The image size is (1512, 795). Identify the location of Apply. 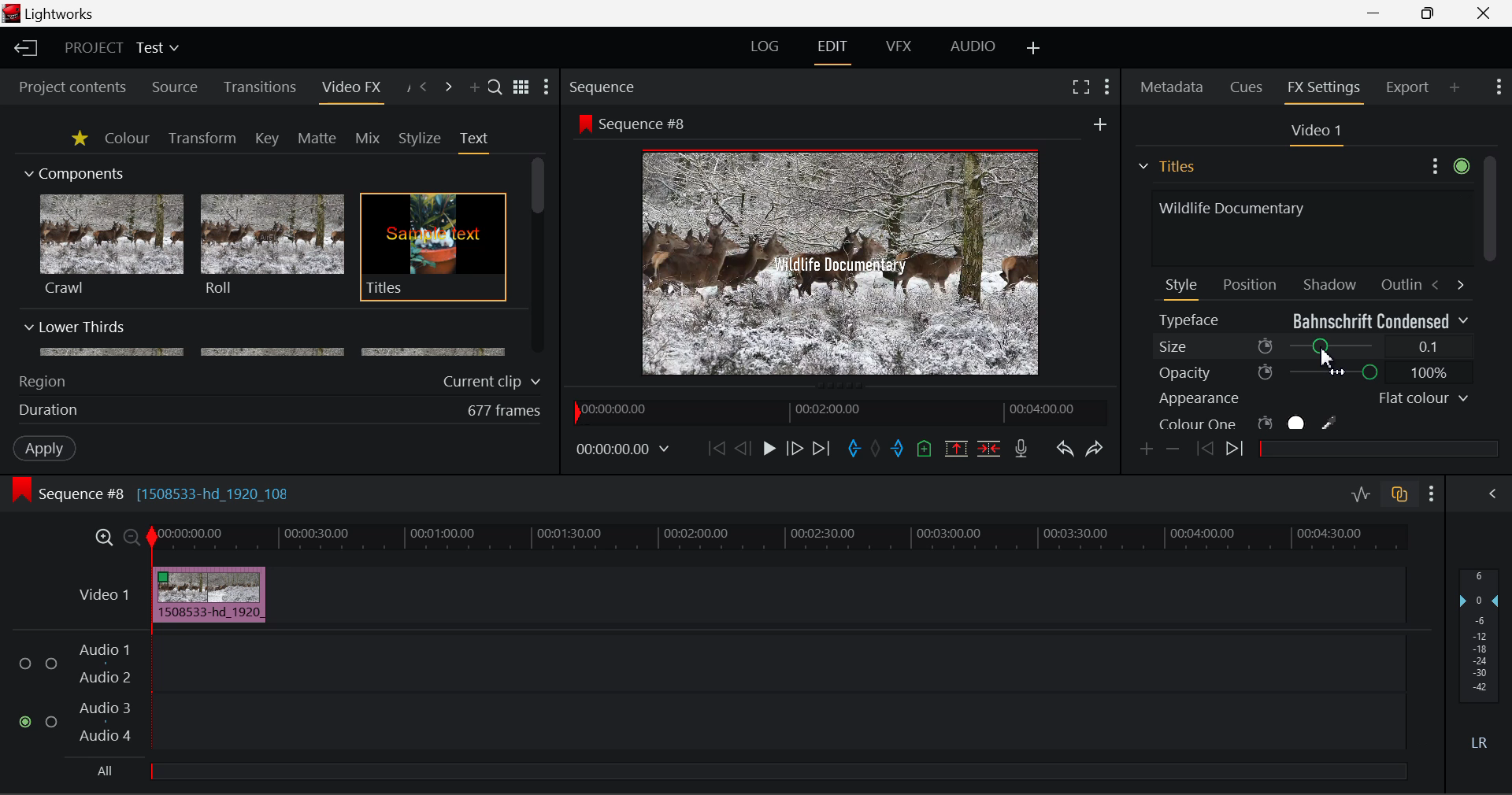
(46, 447).